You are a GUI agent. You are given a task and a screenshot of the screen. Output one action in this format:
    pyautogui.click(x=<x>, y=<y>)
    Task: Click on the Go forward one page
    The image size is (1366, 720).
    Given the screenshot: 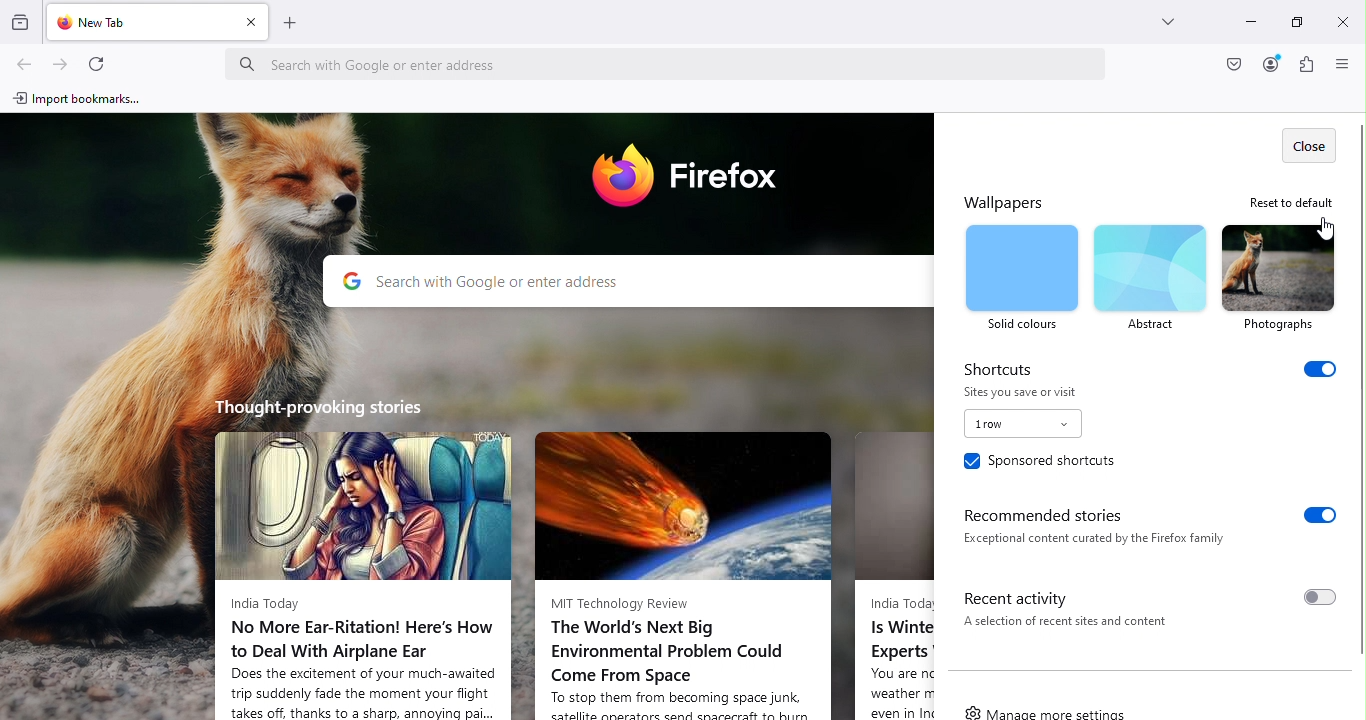 What is the action you would take?
    pyautogui.click(x=62, y=59)
    